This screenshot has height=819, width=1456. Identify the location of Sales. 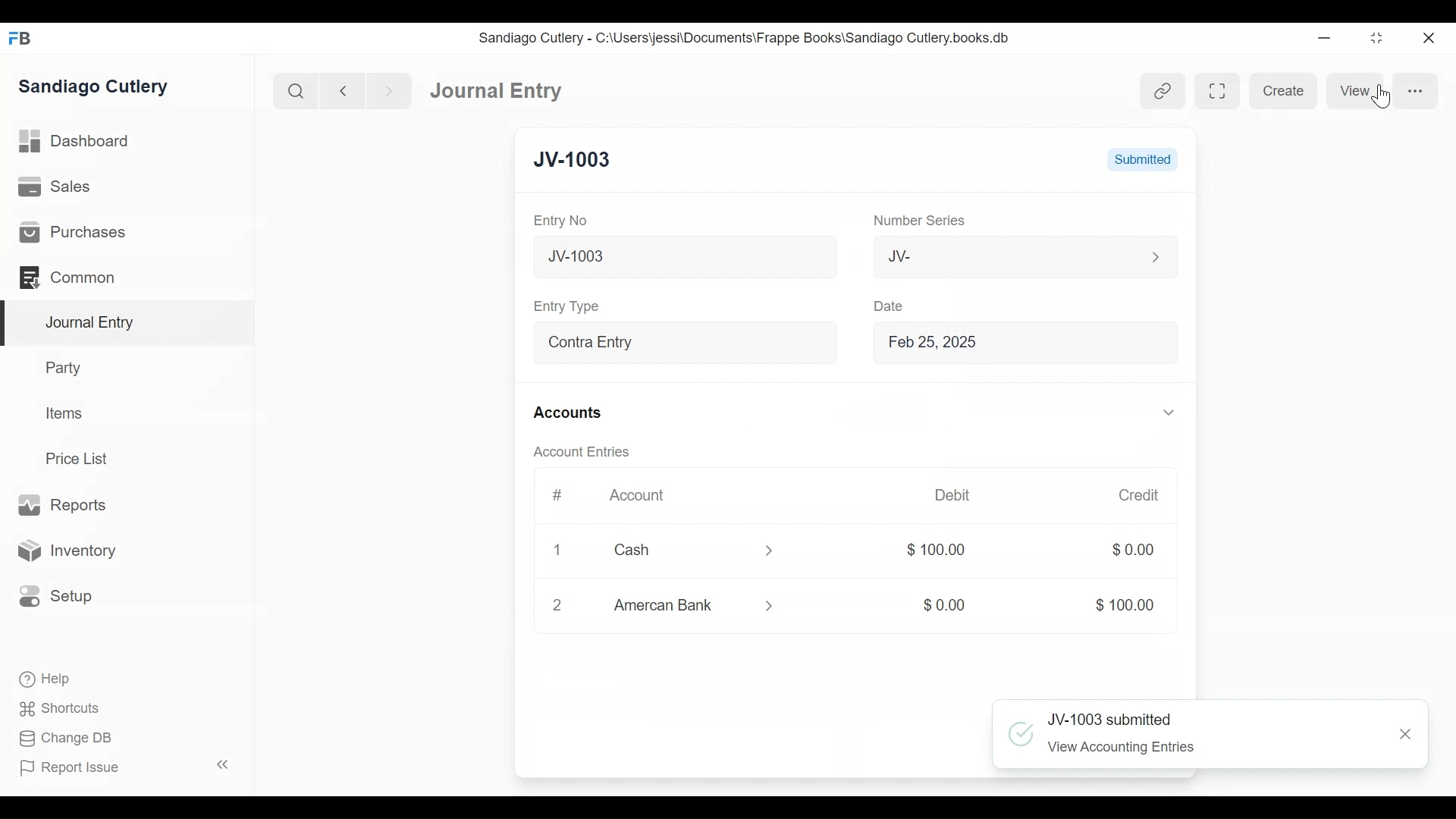
(53, 188).